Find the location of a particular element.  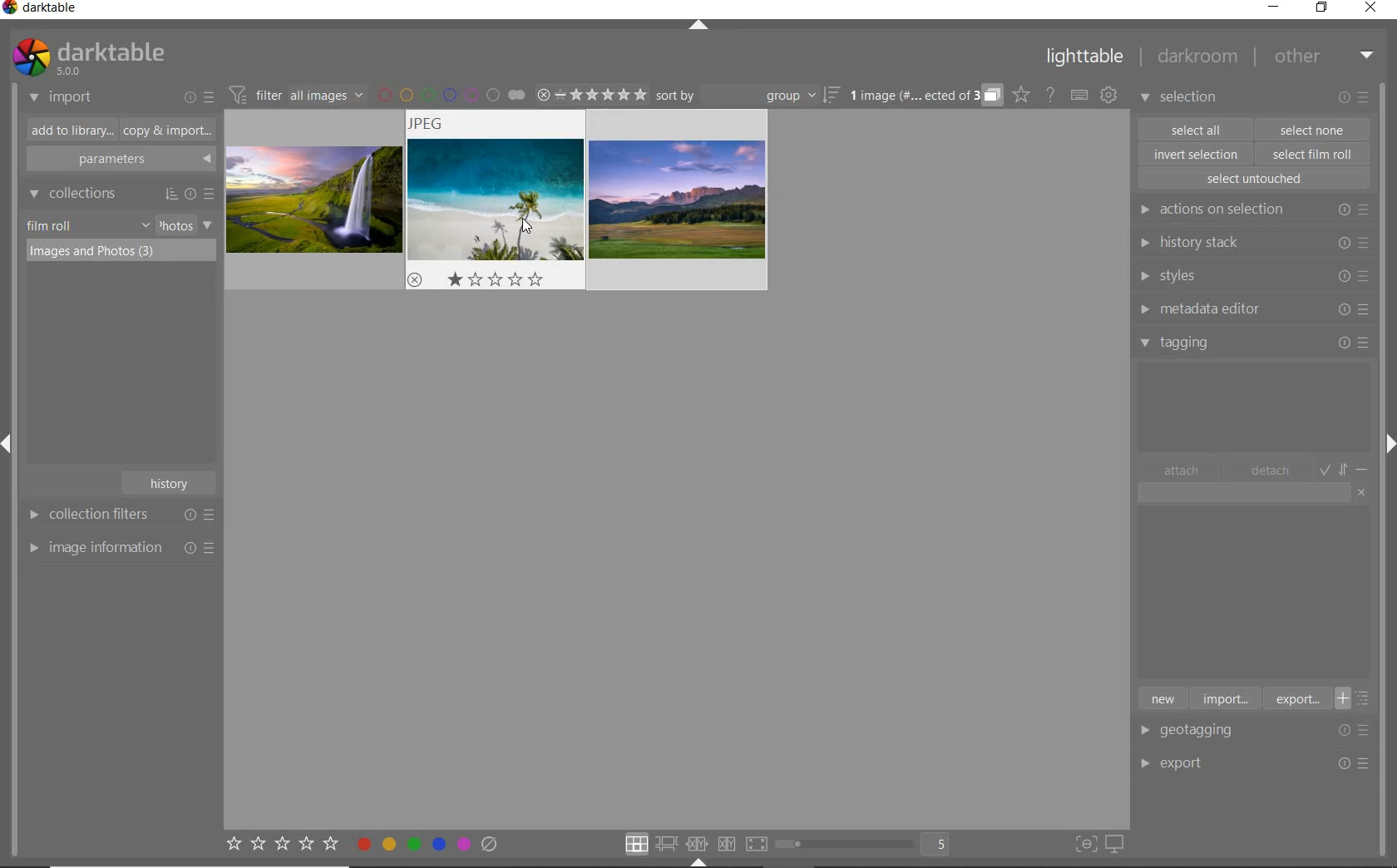

Options is located at coordinates (1359, 730).